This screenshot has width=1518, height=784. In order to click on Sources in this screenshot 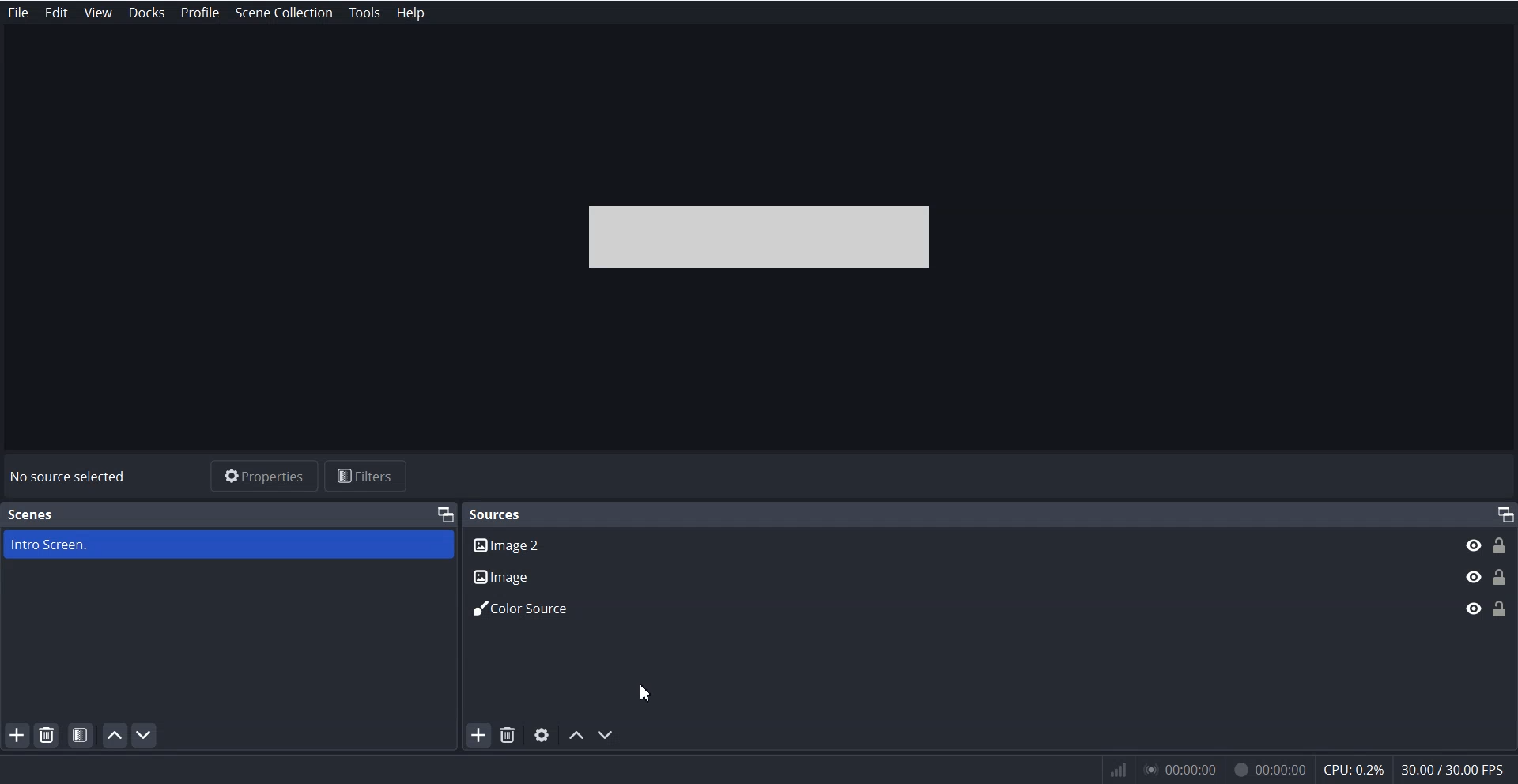, I will do `click(498, 513)`.